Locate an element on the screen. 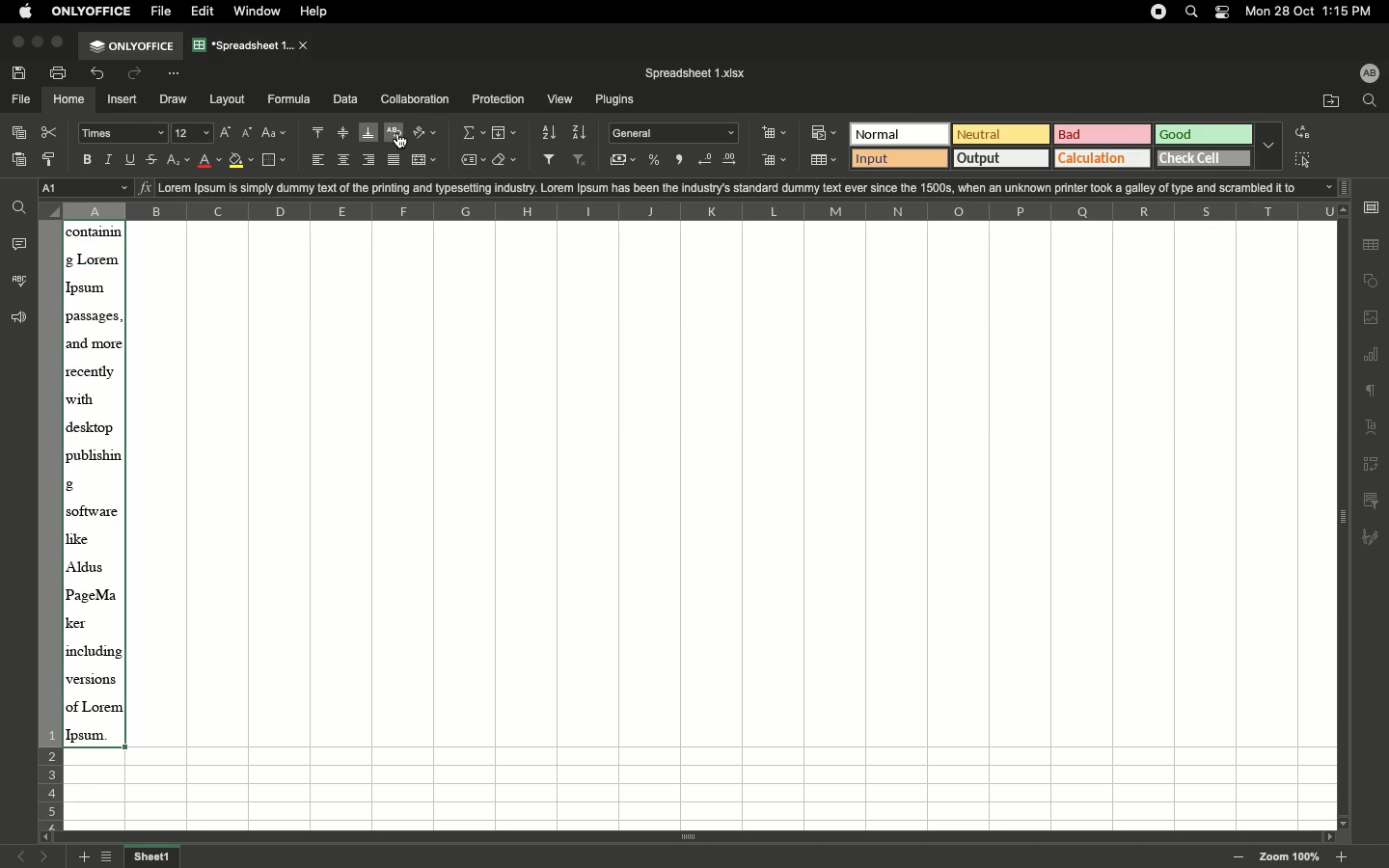  Insert function is located at coordinates (145, 187).